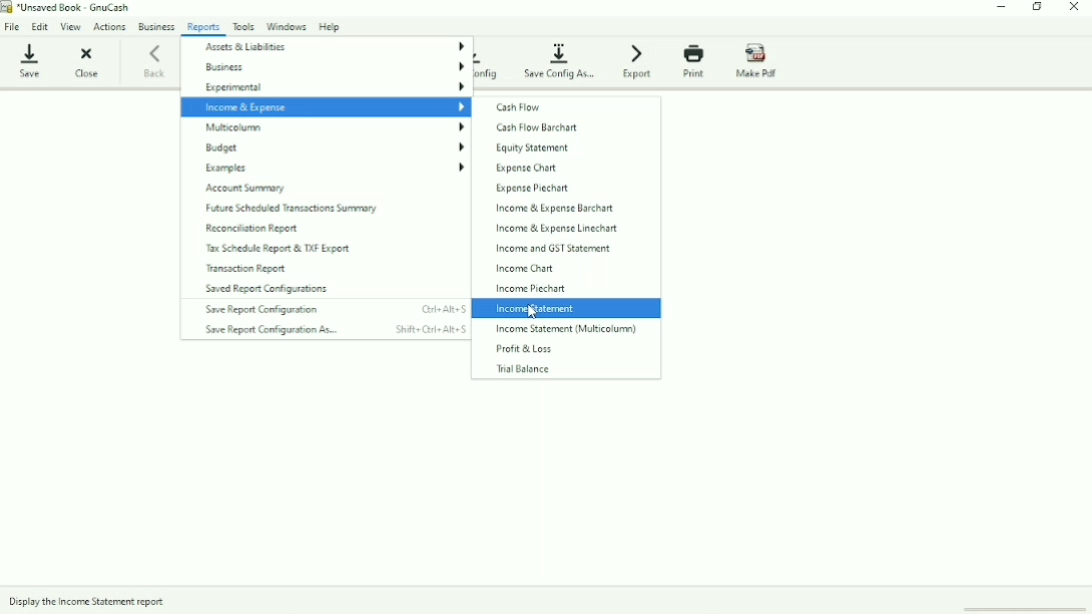  Describe the element at coordinates (1038, 7) in the screenshot. I see `Restore down` at that location.